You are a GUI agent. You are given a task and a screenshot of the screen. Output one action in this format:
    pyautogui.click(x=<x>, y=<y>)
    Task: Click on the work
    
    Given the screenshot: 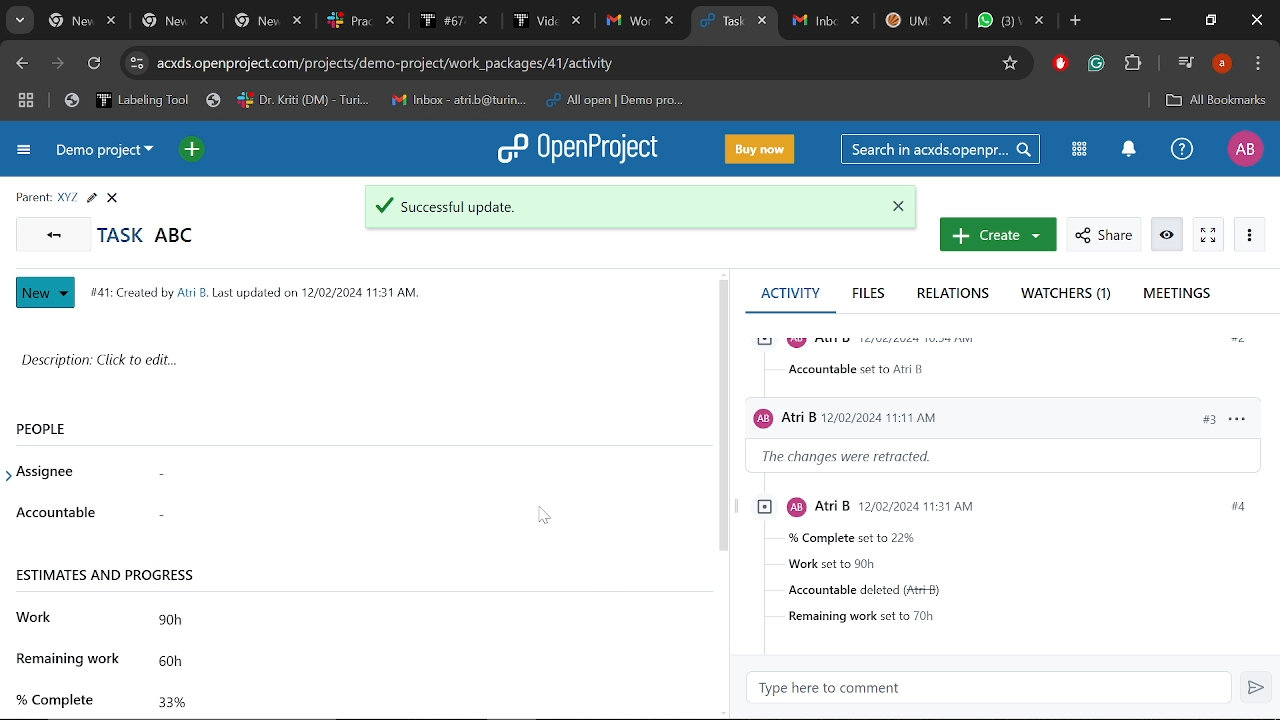 What is the action you would take?
    pyautogui.click(x=35, y=614)
    